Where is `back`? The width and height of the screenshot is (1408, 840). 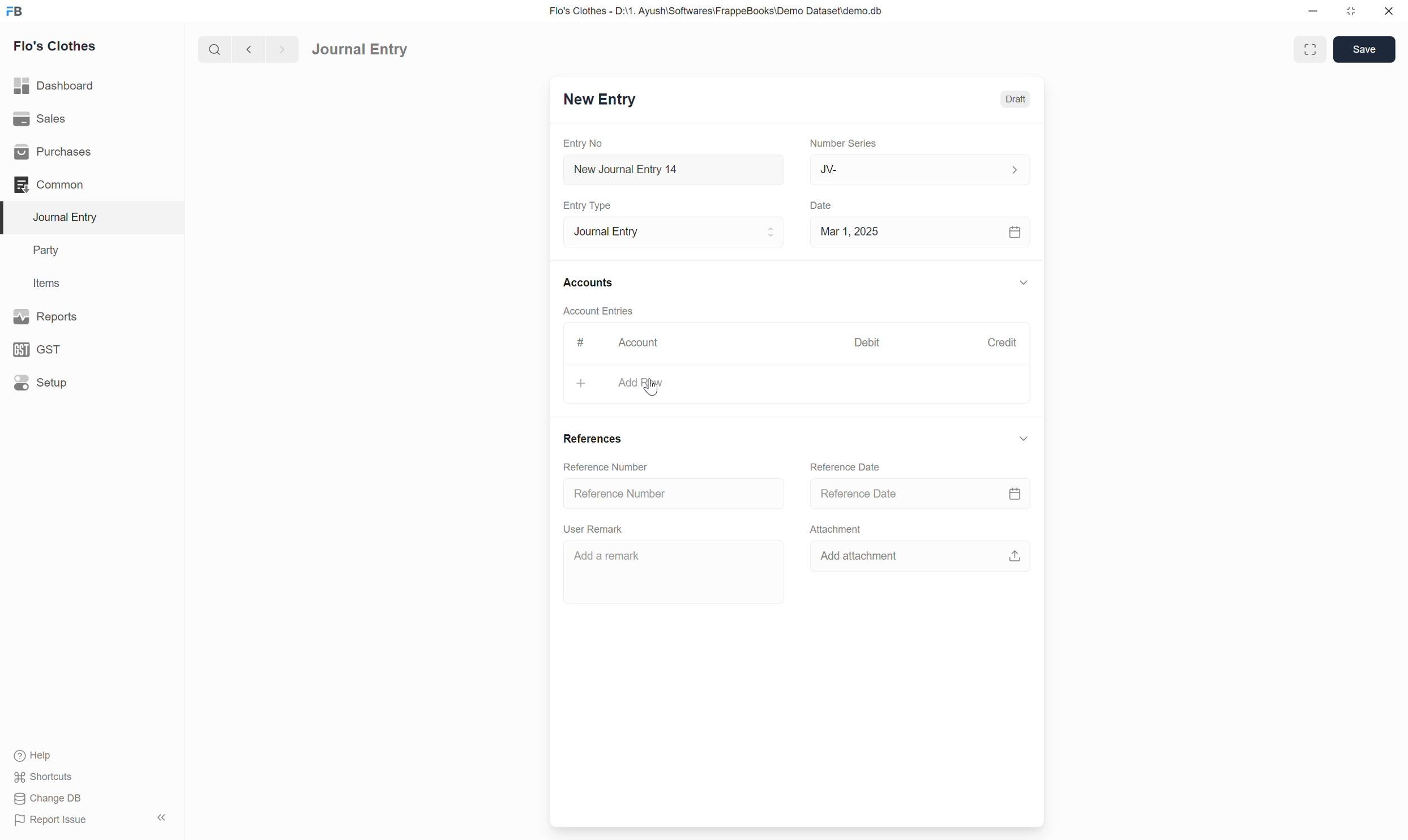 back is located at coordinates (246, 49).